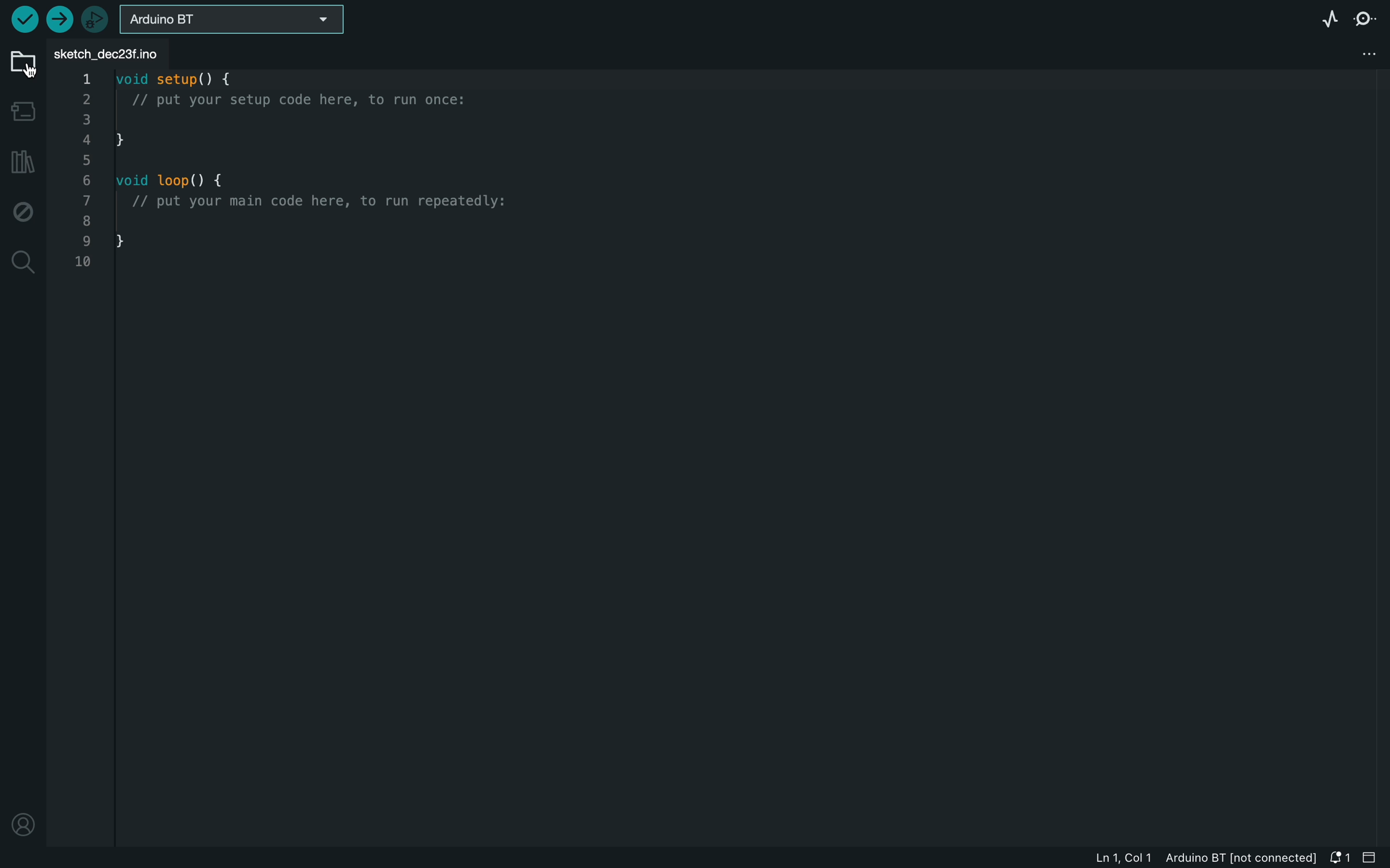  Describe the element at coordinates (22, 163) in the screenshot. I see `library manager` at that location.